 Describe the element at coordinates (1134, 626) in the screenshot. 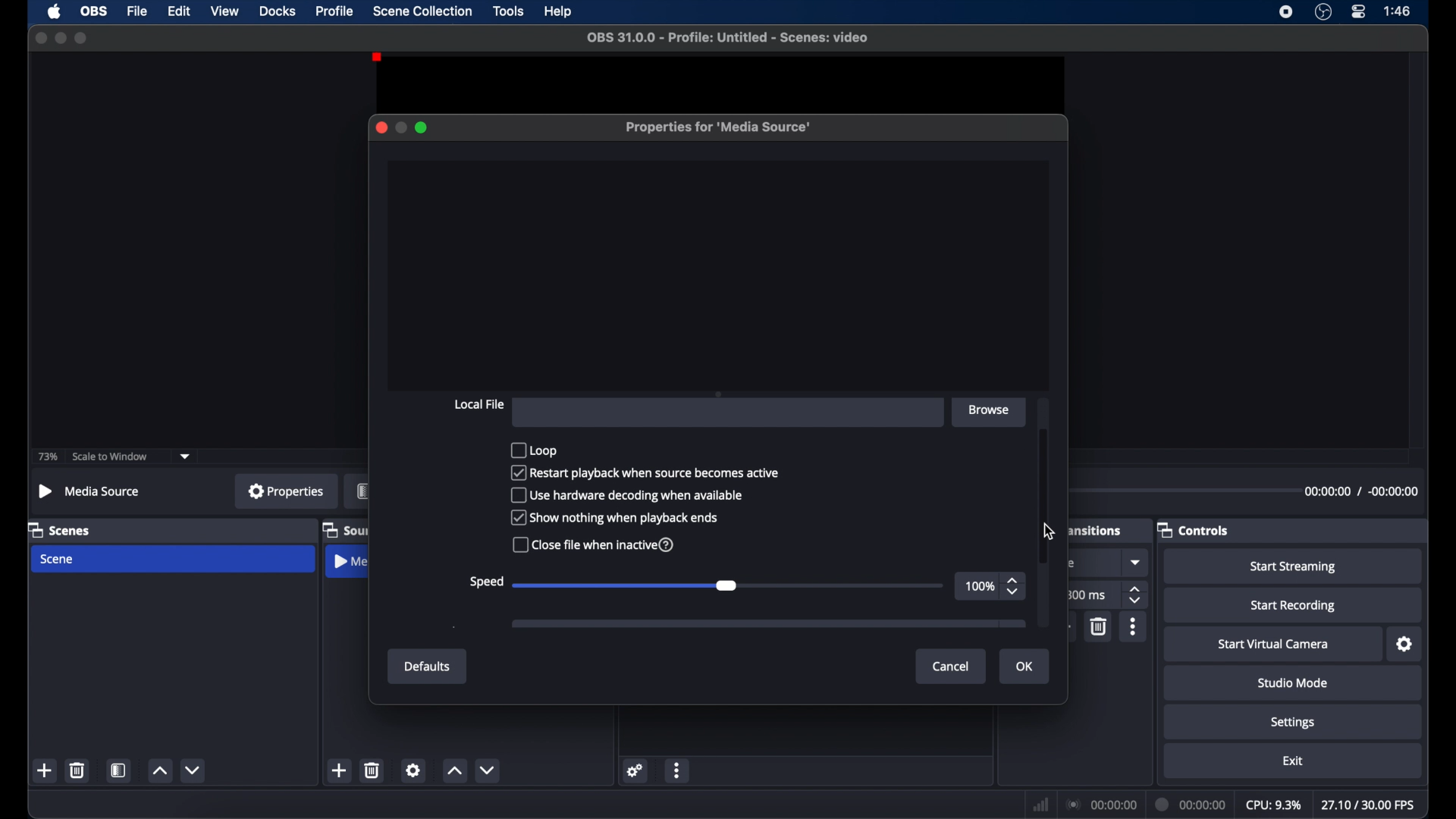

I see `more options` at that location.